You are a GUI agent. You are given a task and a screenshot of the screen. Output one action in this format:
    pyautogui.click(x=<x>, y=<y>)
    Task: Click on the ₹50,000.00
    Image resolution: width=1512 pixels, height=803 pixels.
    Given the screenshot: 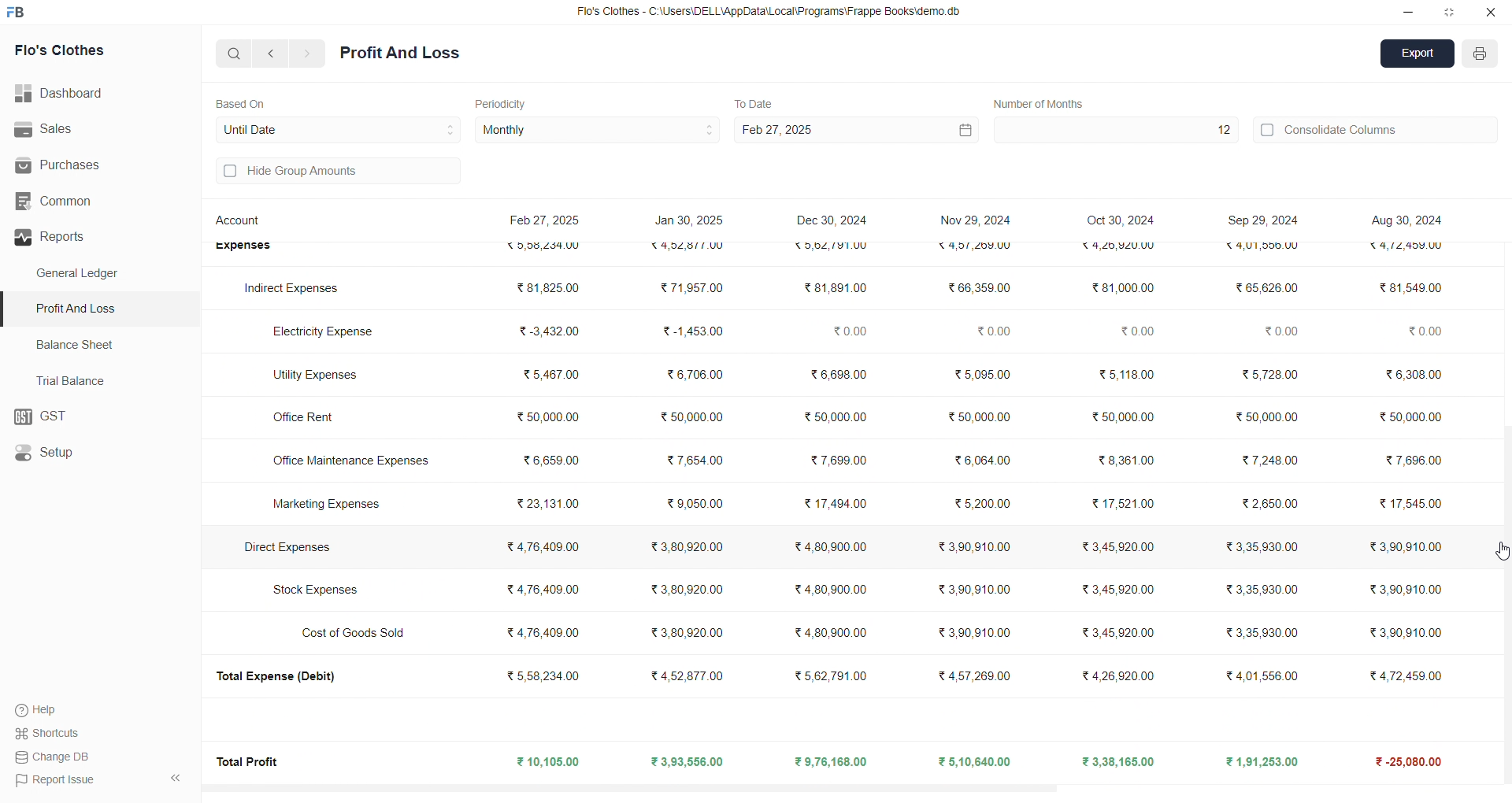 What is the action you would take?
    pyautogui.click(x=1121, y=420)
    